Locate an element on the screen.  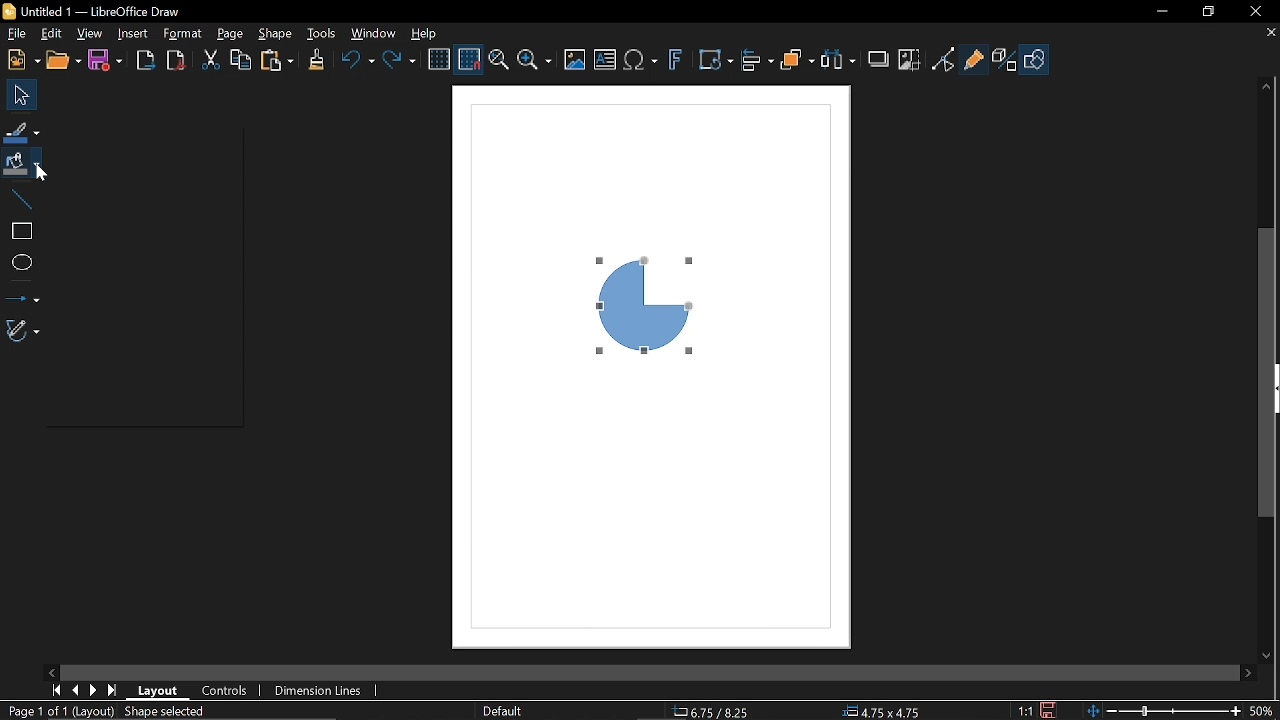
1:1 (Scaling factor of the document) is located at coordinates (1038, 710).